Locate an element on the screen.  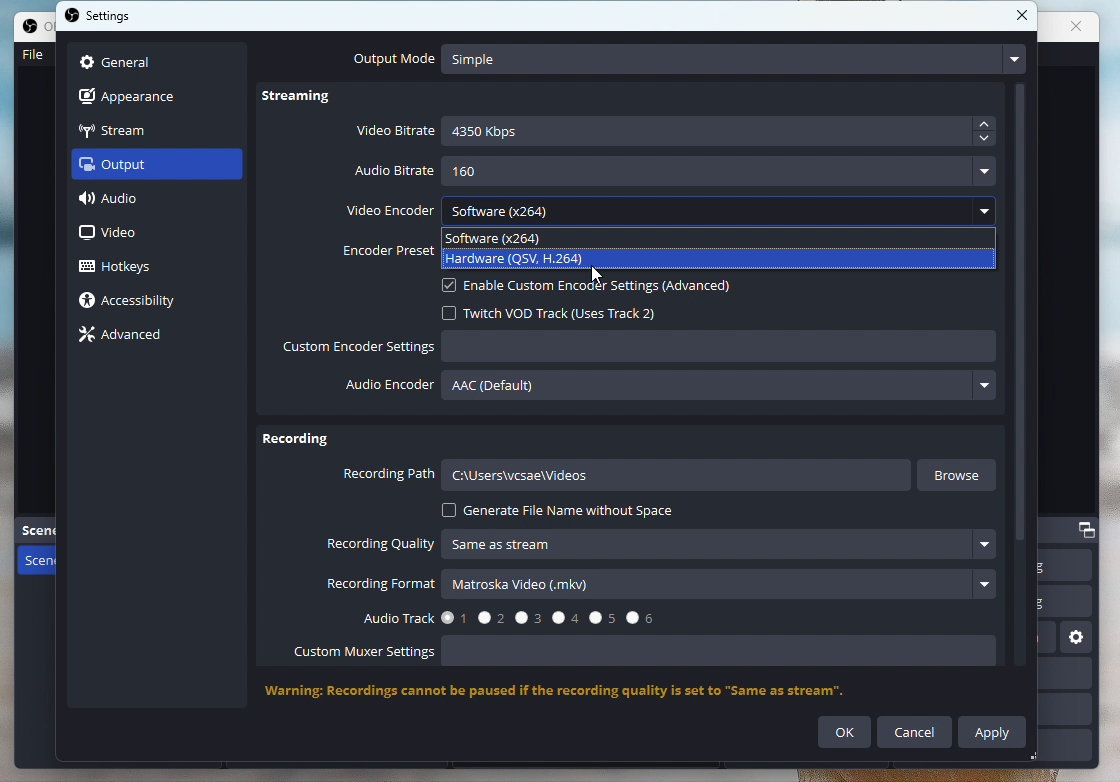
video is located at coordinates (114, 234).